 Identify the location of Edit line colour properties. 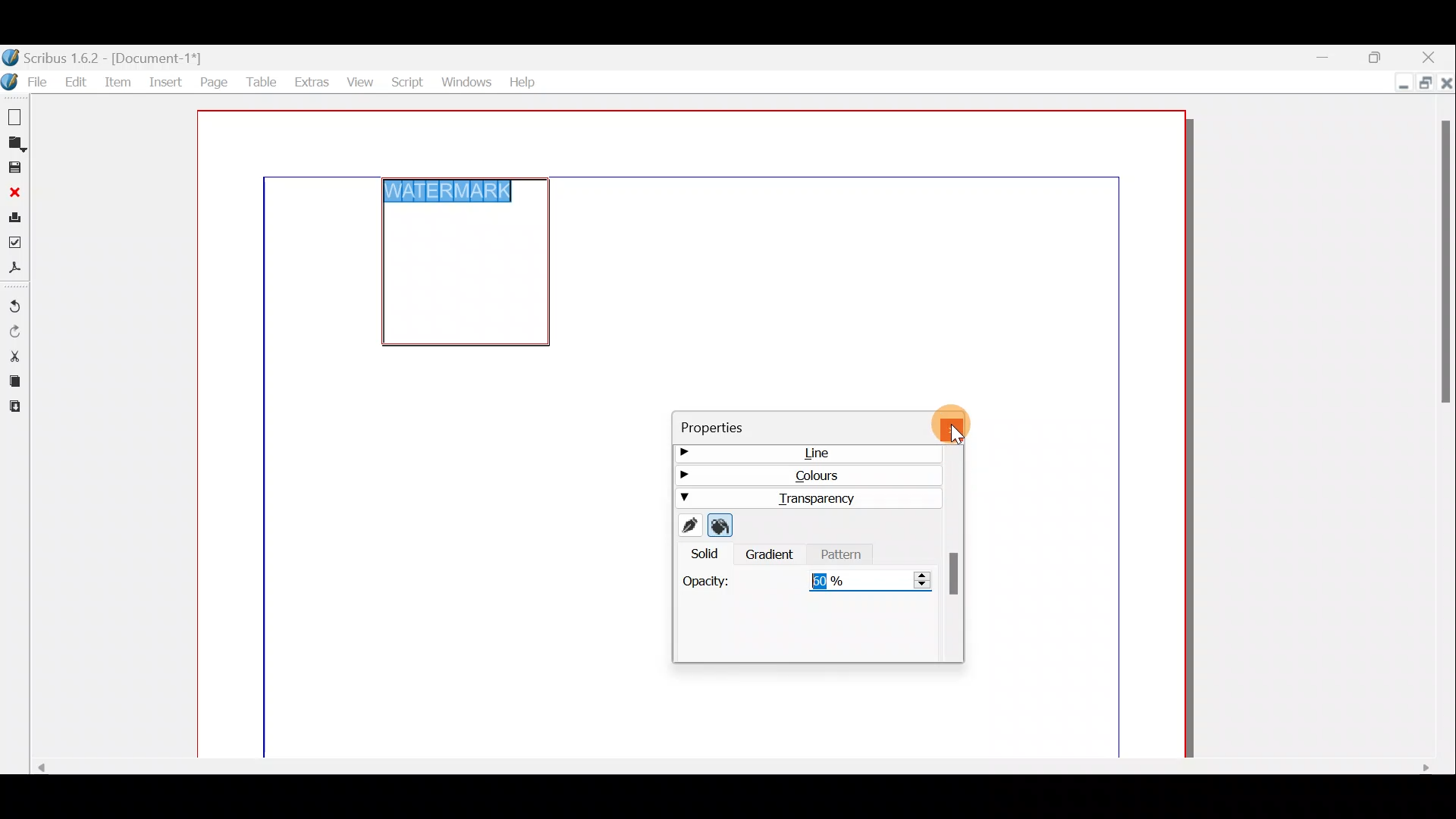
(689, 526).